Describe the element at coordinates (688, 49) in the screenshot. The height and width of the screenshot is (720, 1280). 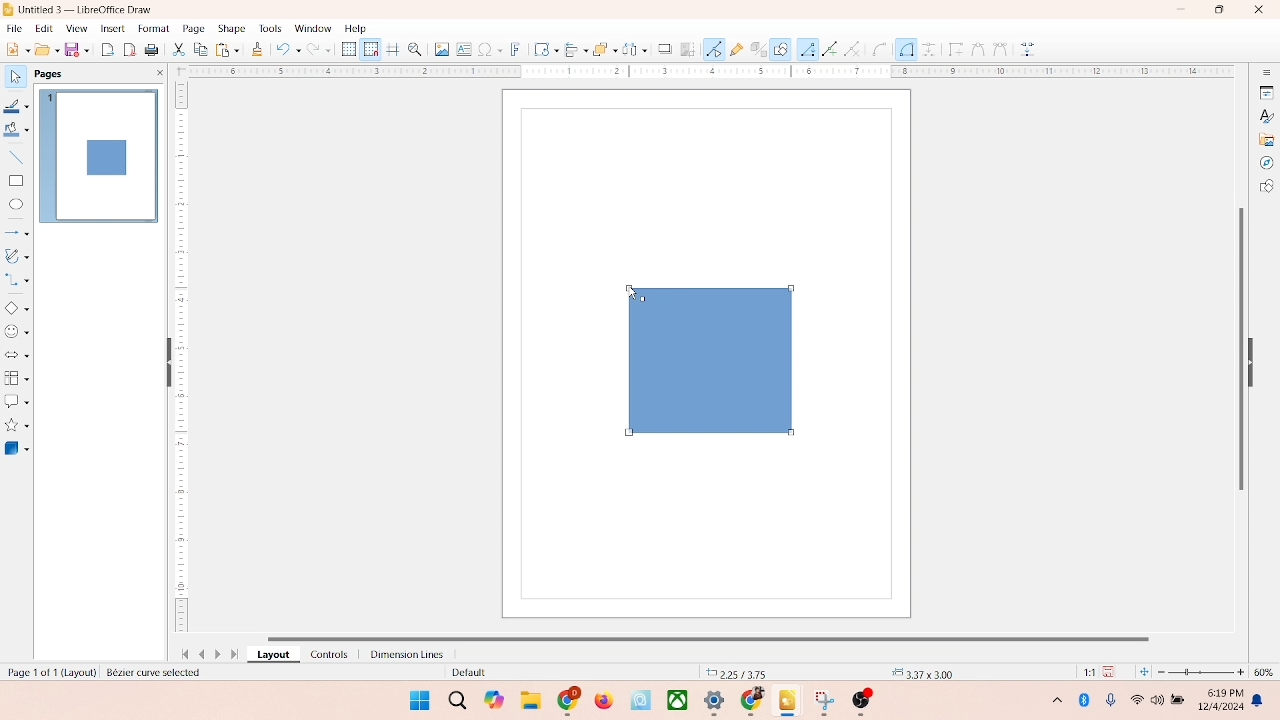
I see `crop image` at that location.